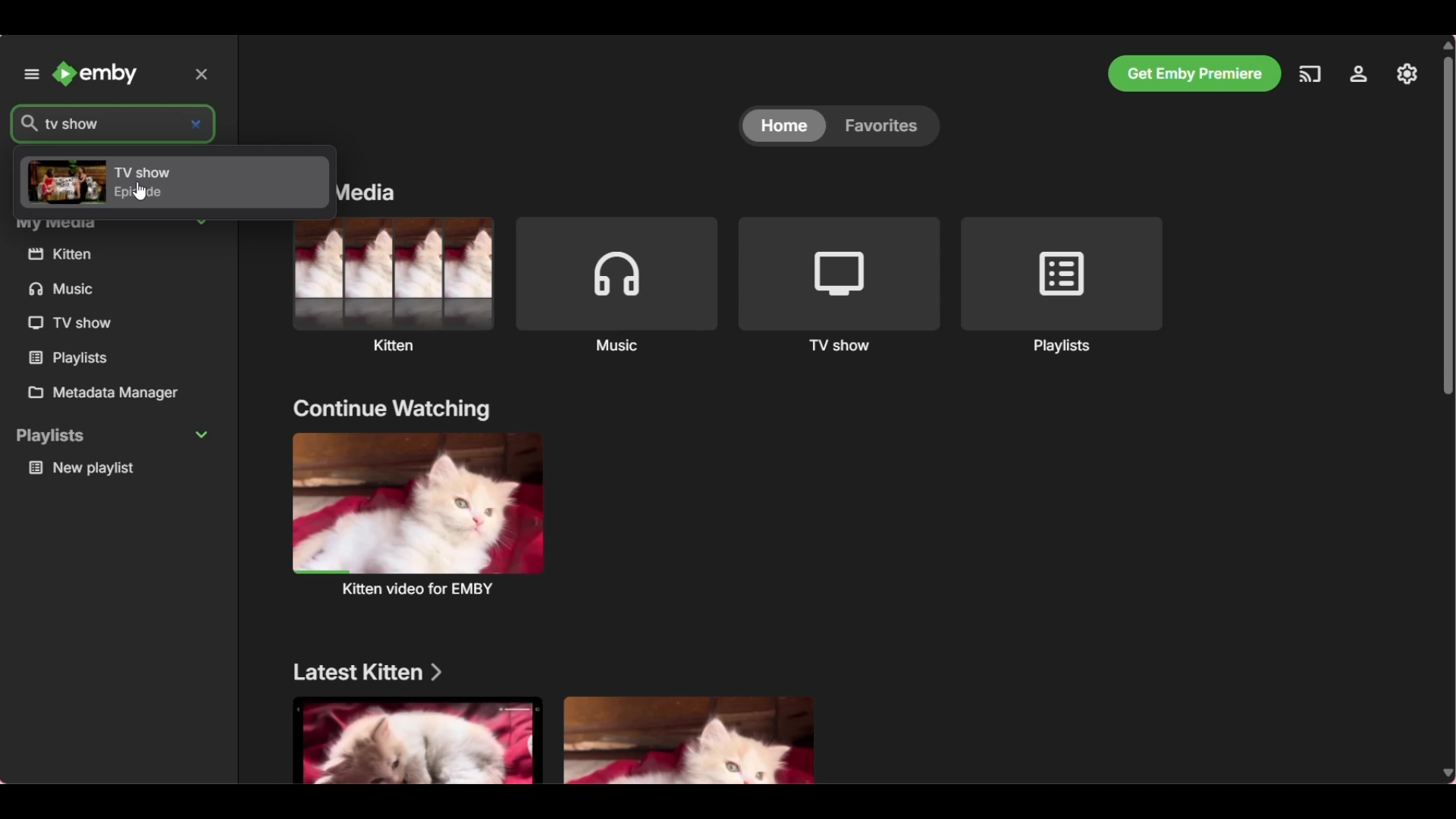 The height and width of the screenshot is (819, 1456). Describe the element at coordinates (96, 73) in the screenshot. I see `Emby` at that location.